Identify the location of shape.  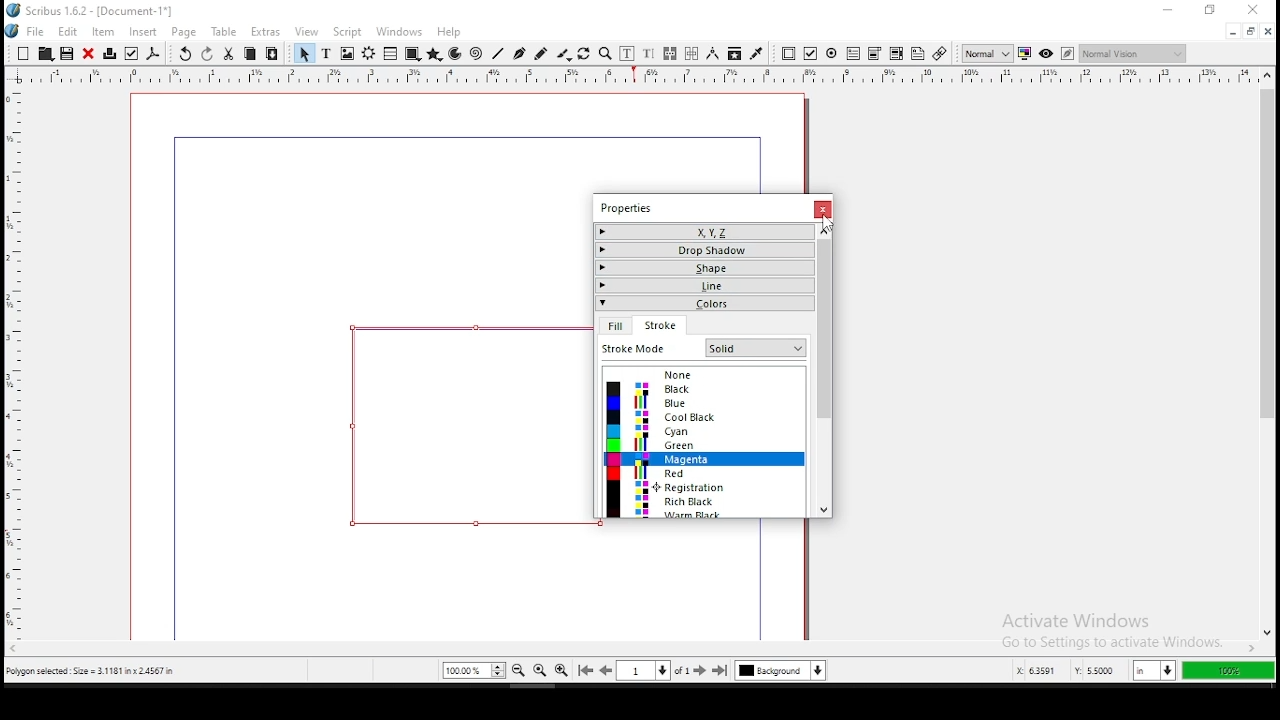
(701, 267).